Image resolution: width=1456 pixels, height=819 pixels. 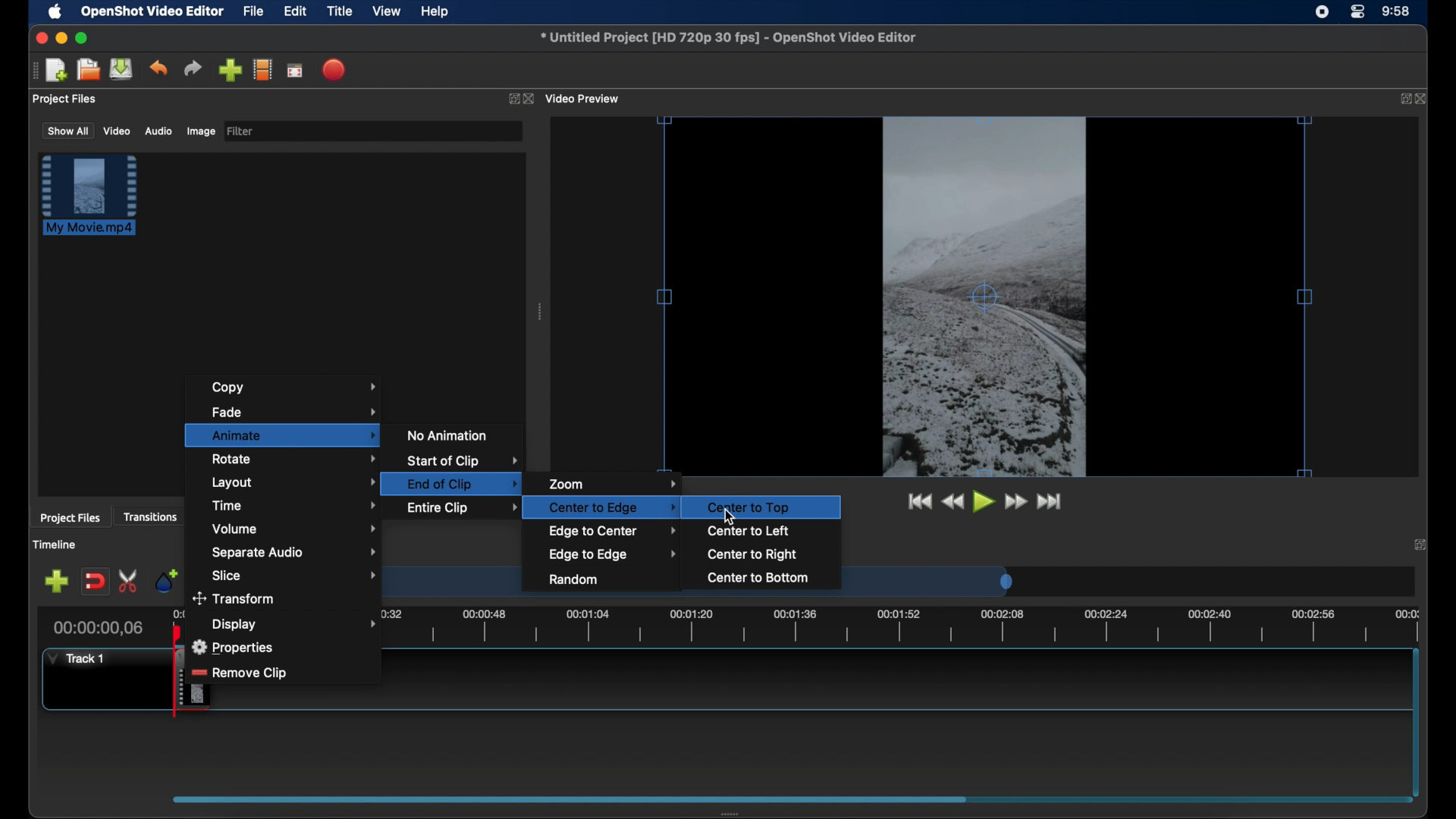 I want to click on transitions, so click(x=150, y=516).